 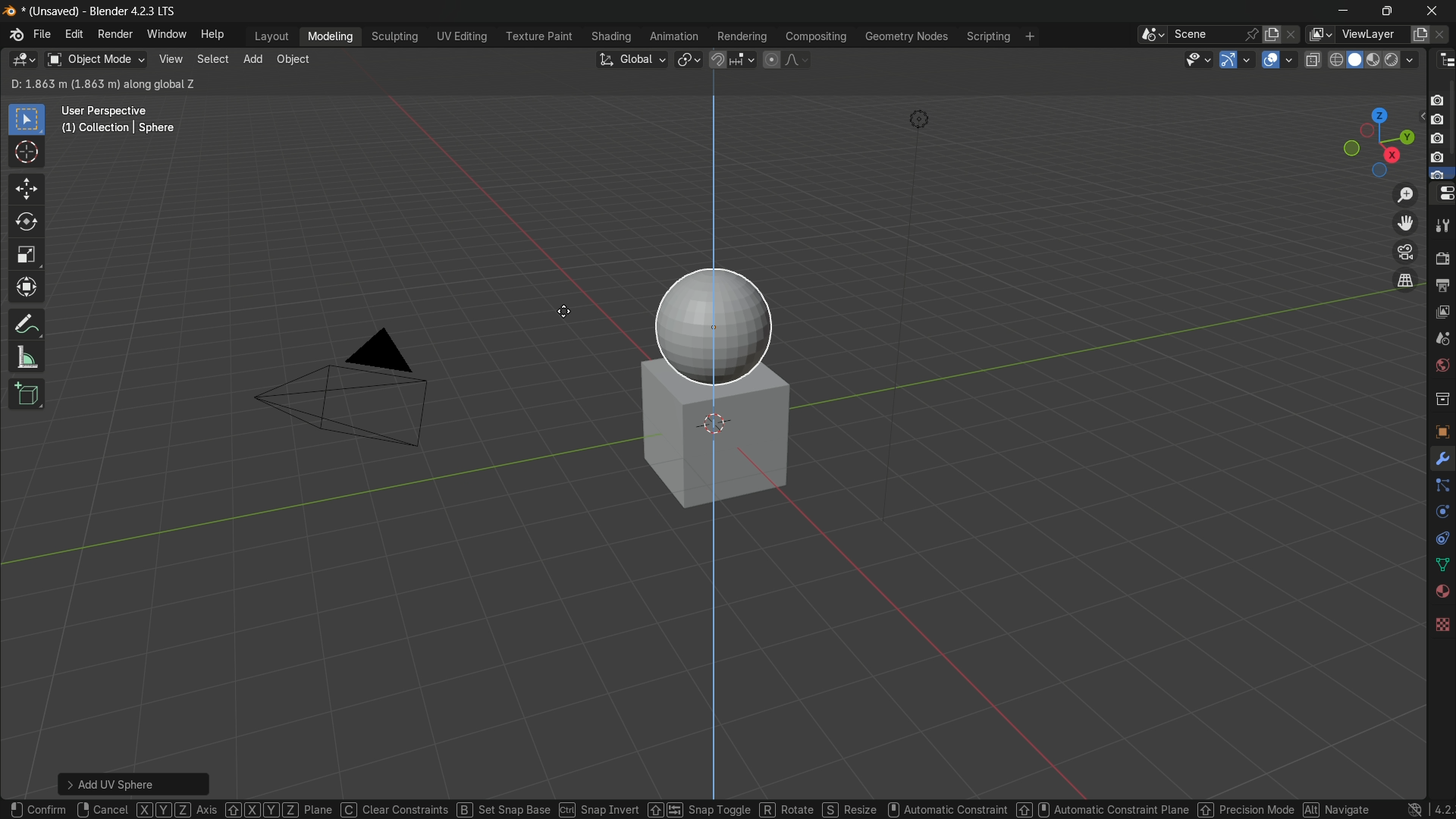 I want to click on window menu, so click(x=163, y=34).